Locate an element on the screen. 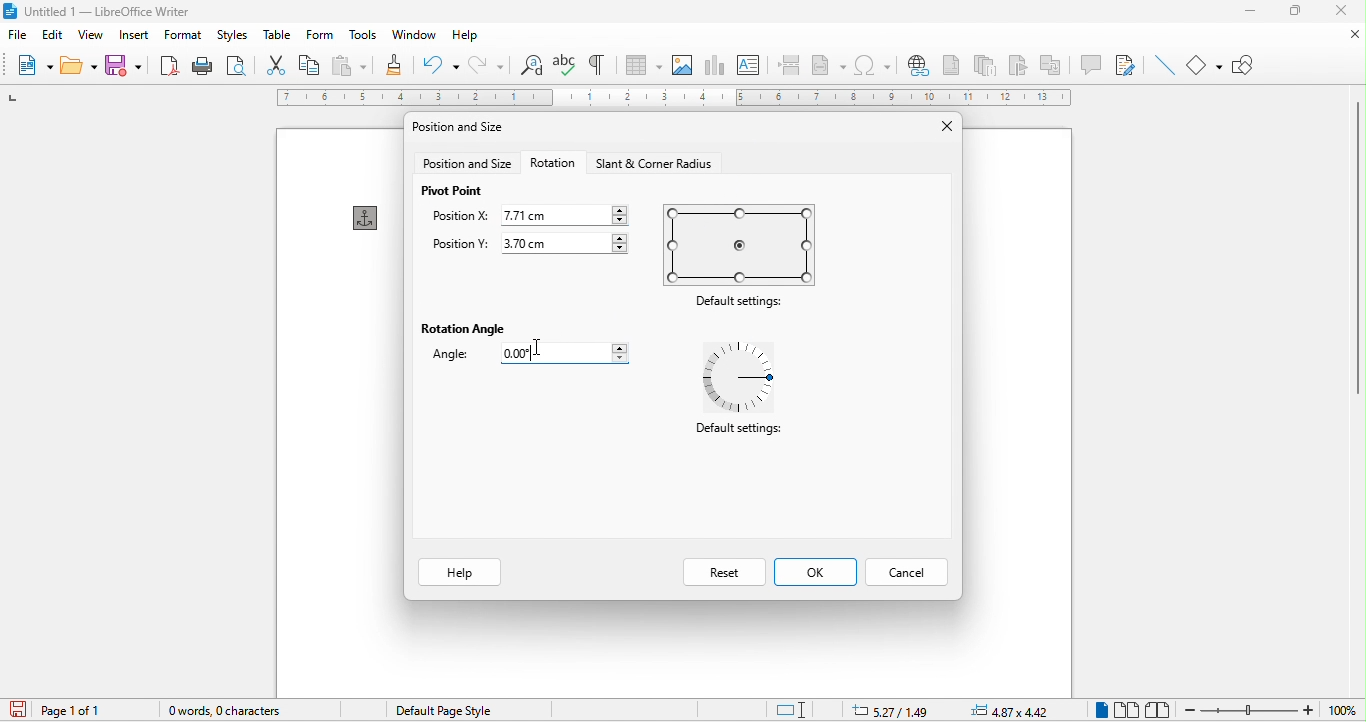 This screenshot has height=722, width=1366. print is located at coordinates (200, 65).